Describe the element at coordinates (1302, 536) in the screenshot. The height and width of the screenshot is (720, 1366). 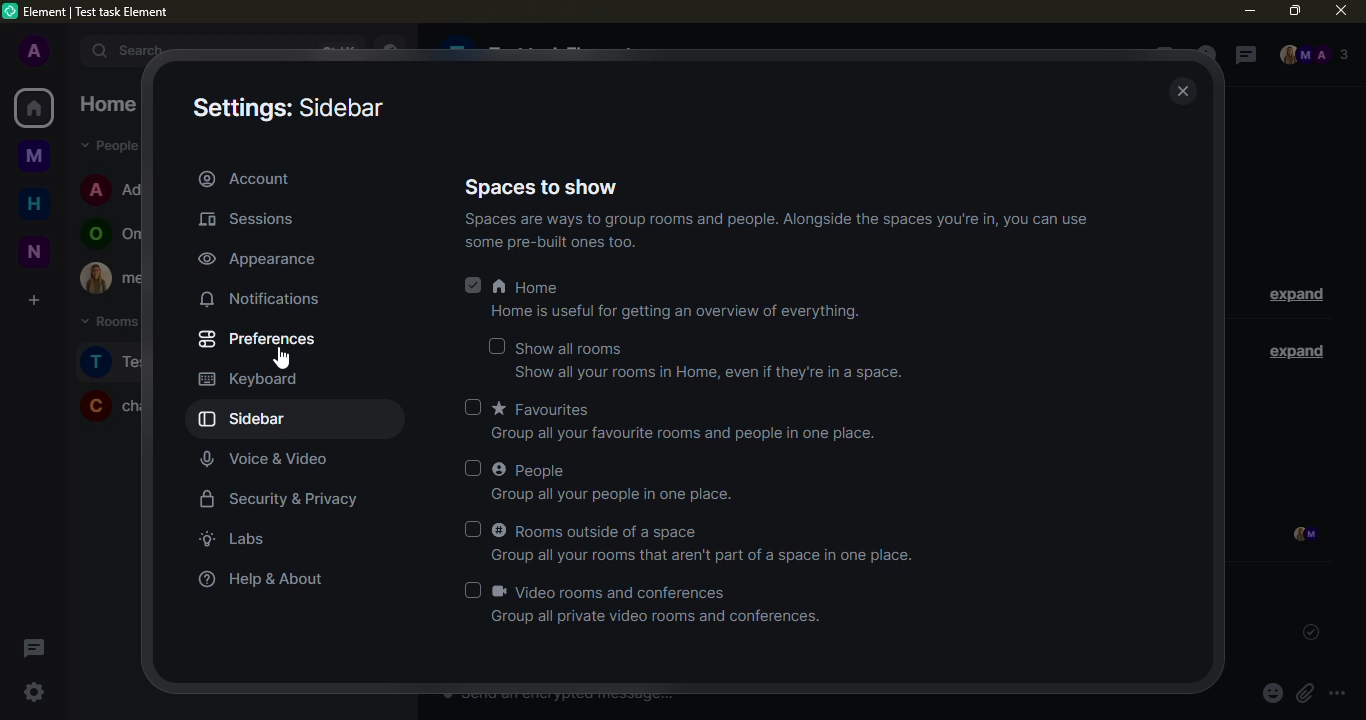
I see `seen` at that location.